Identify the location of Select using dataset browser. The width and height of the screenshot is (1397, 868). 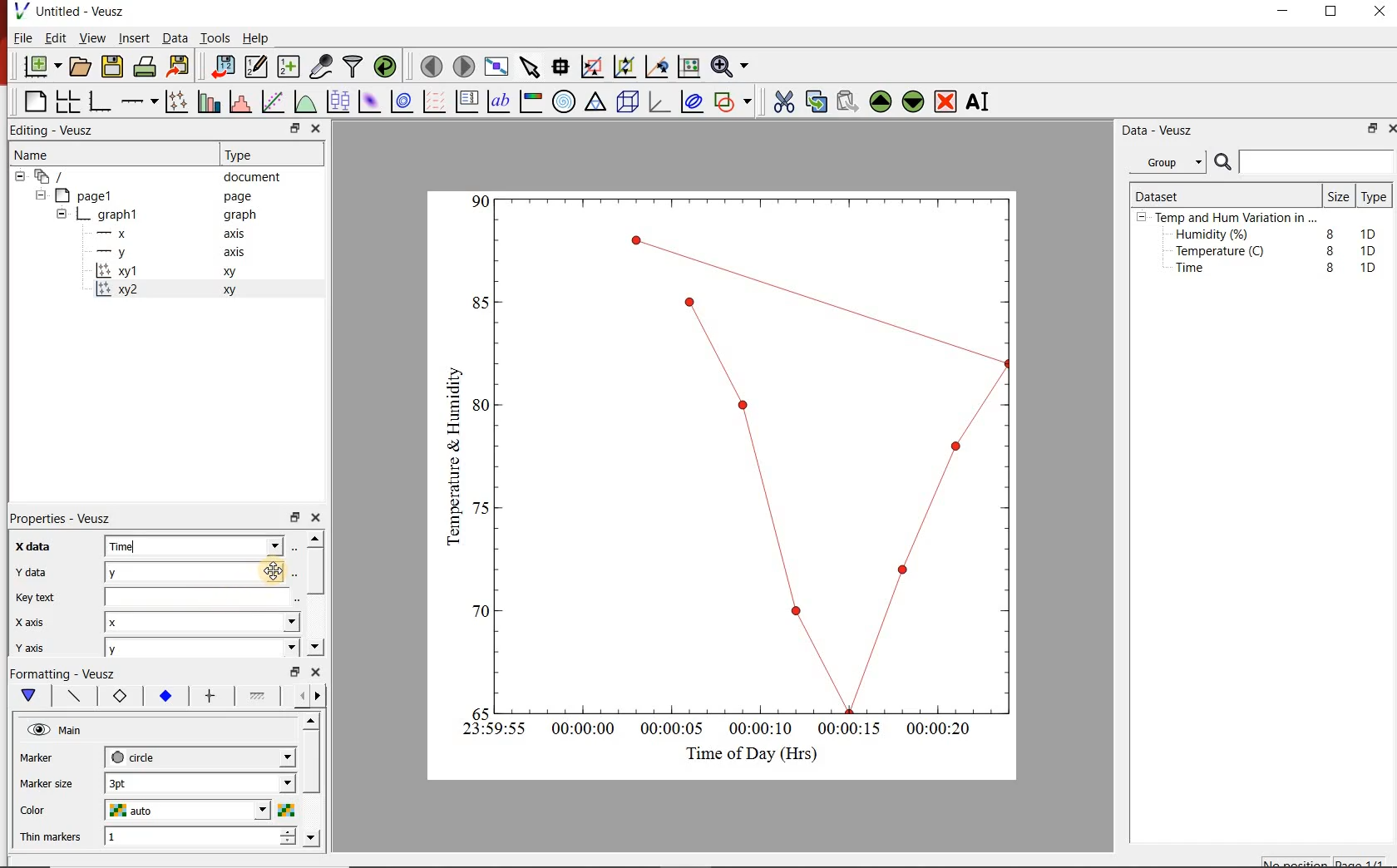
(300, 547).